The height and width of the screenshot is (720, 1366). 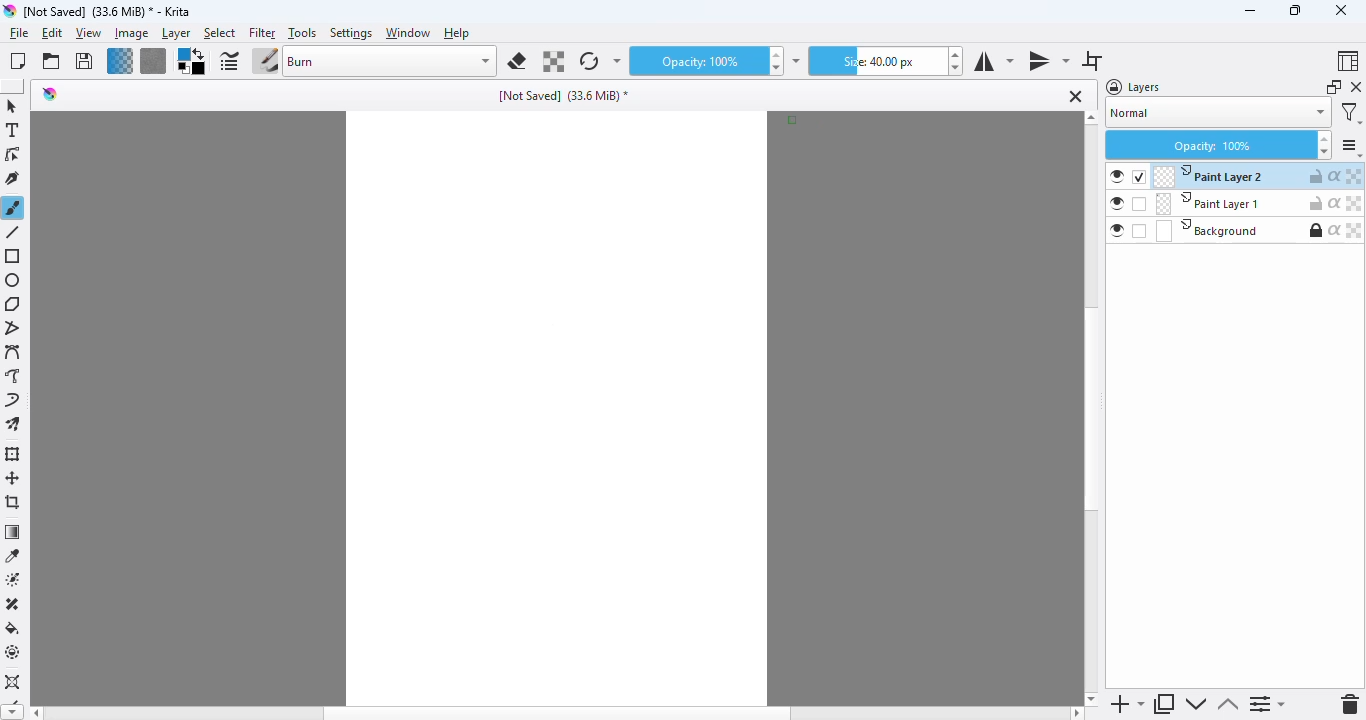 I want to click on minimize, so click(x=1250, y=10).